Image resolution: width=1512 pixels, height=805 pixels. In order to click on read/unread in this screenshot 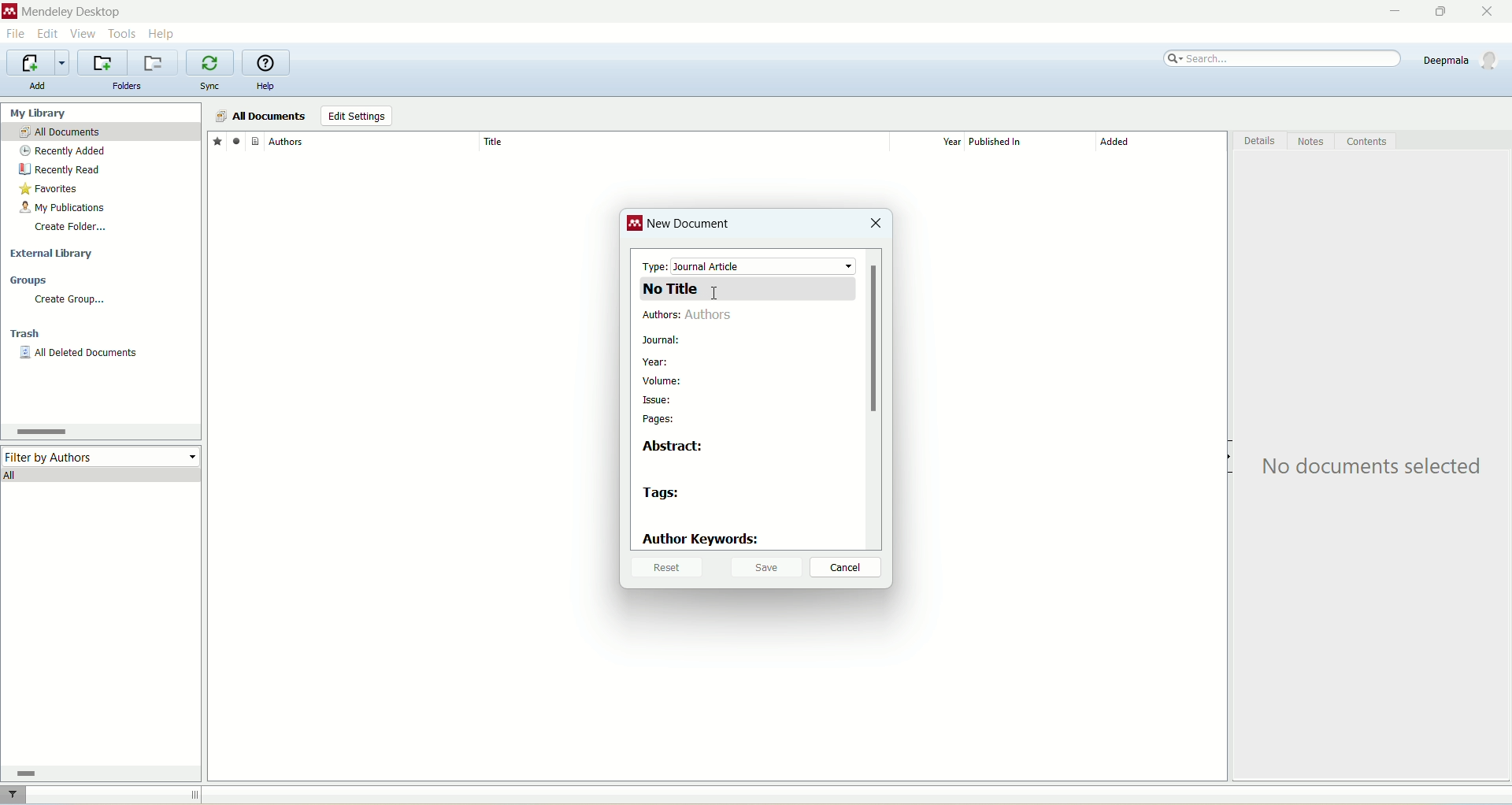, I will do `click(234, 140)`.